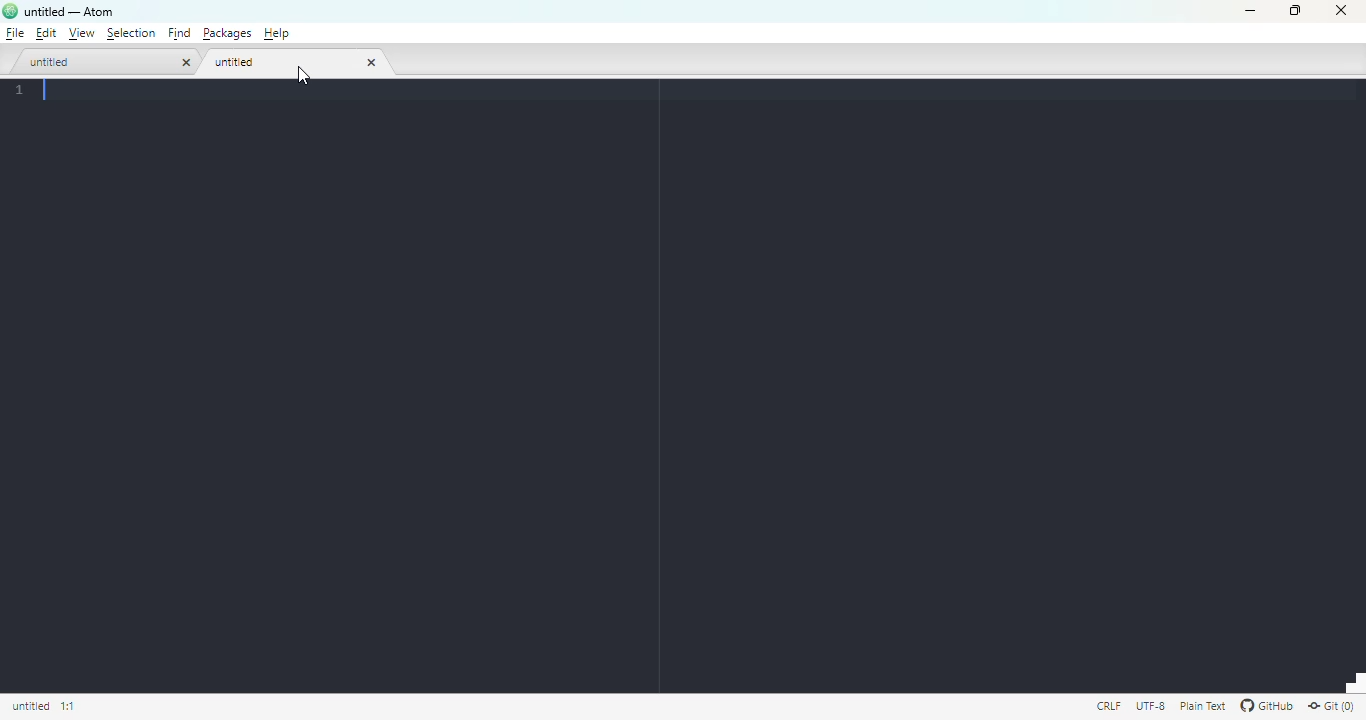 The image size is (1366, 720). What do you see at coordinates (227, 34) in the screenshot?
I see `packages` at bounding box center [227, 34].